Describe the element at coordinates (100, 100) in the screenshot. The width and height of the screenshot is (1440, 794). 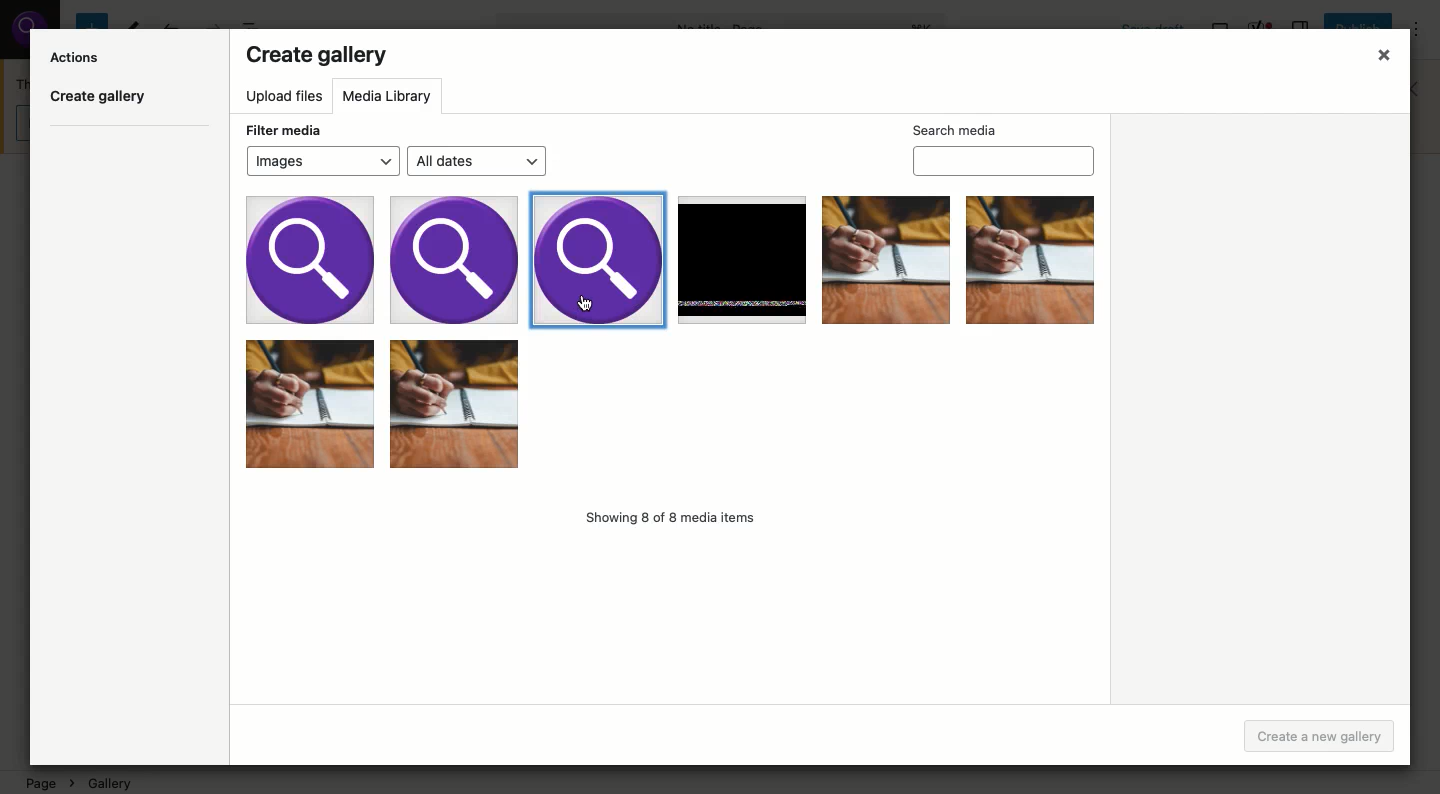
I see `Create gallery` at that location.